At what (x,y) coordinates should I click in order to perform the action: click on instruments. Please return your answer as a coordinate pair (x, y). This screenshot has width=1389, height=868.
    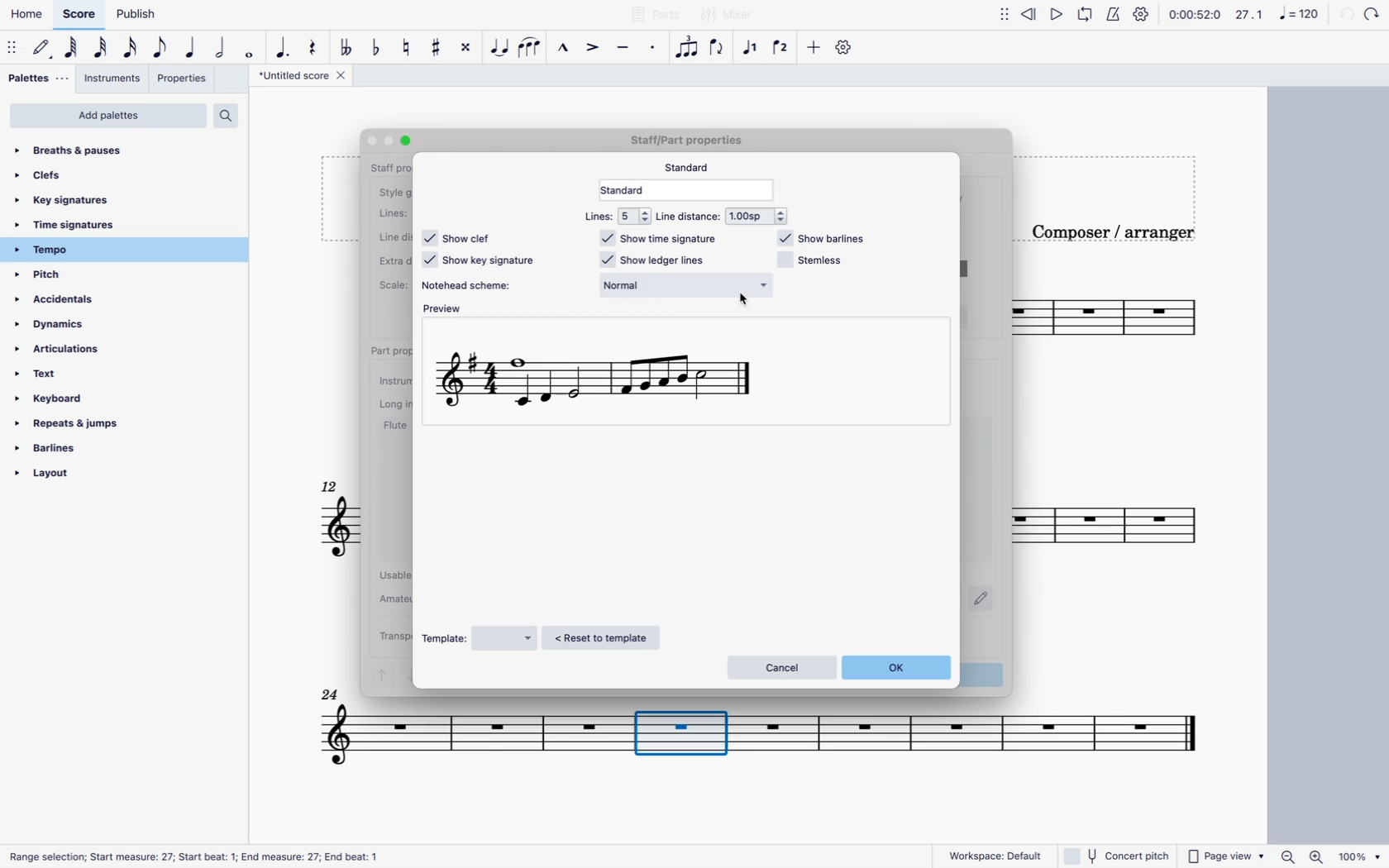
    Looking at the image, I should click on (115, 81).